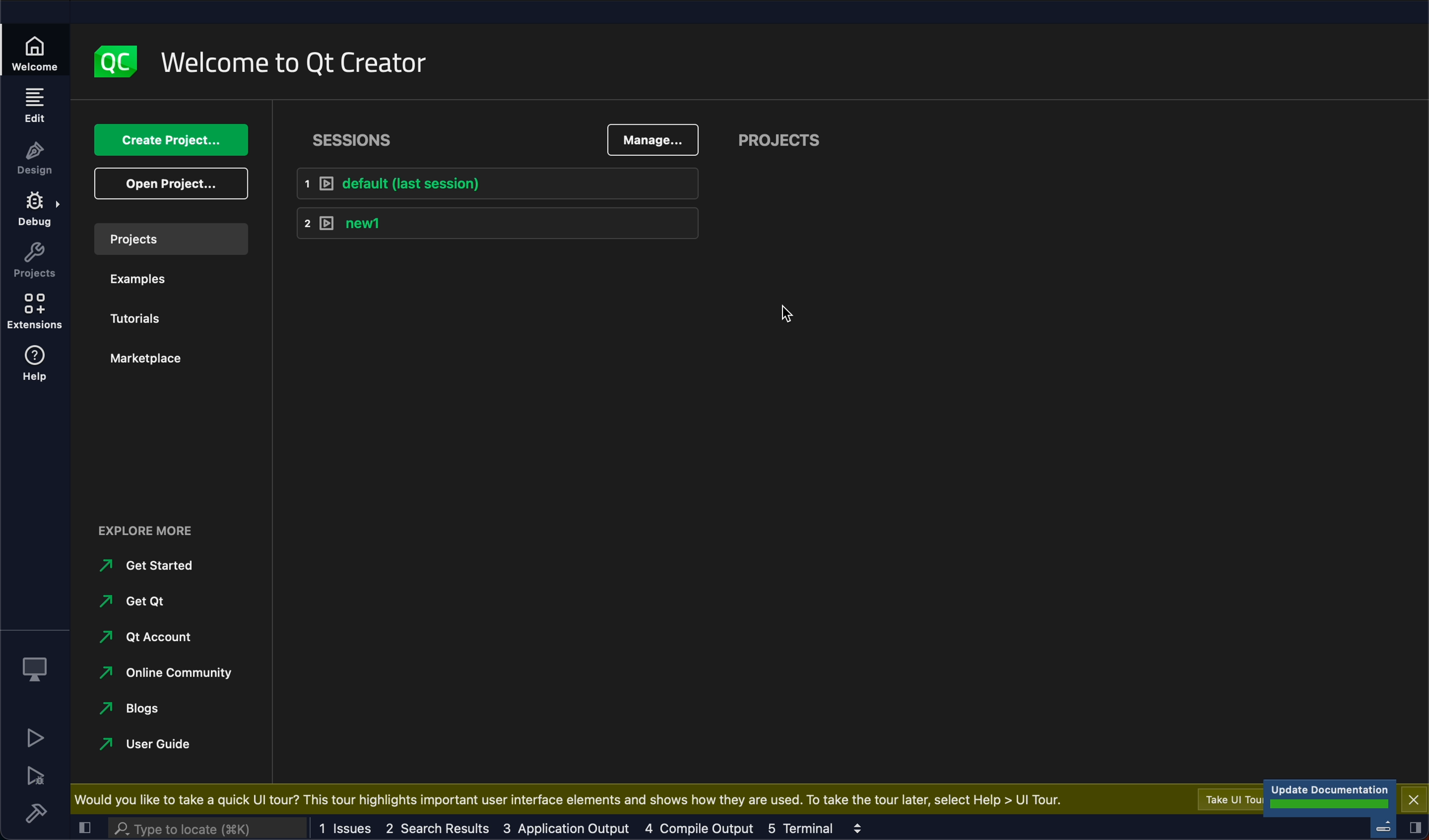 Image resolution: width=1429 pixels, height=840 pixels. I want to click on blogs, so click(147, 706).